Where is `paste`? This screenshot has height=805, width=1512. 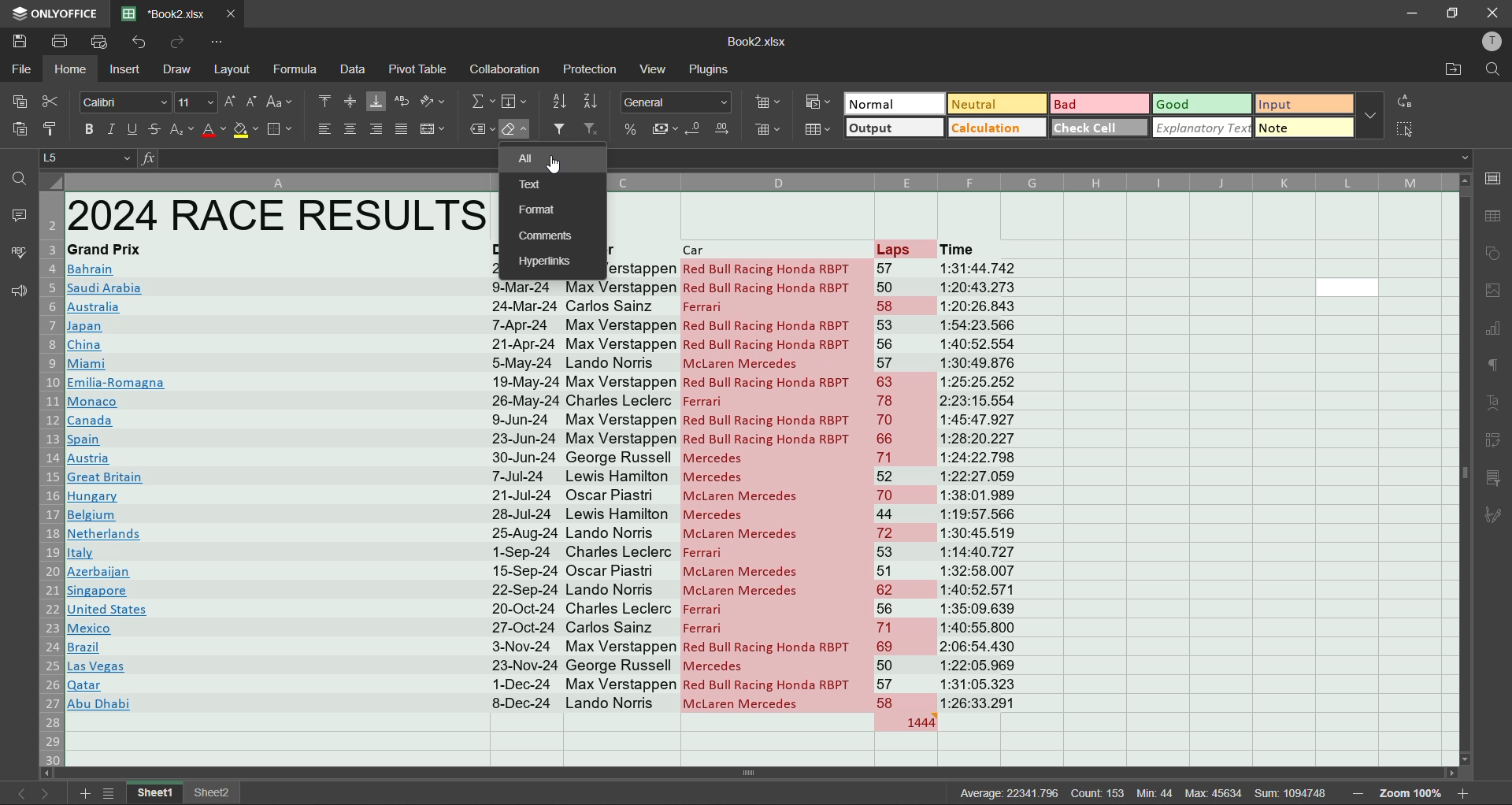 paste is located at coordinates (19, 129).